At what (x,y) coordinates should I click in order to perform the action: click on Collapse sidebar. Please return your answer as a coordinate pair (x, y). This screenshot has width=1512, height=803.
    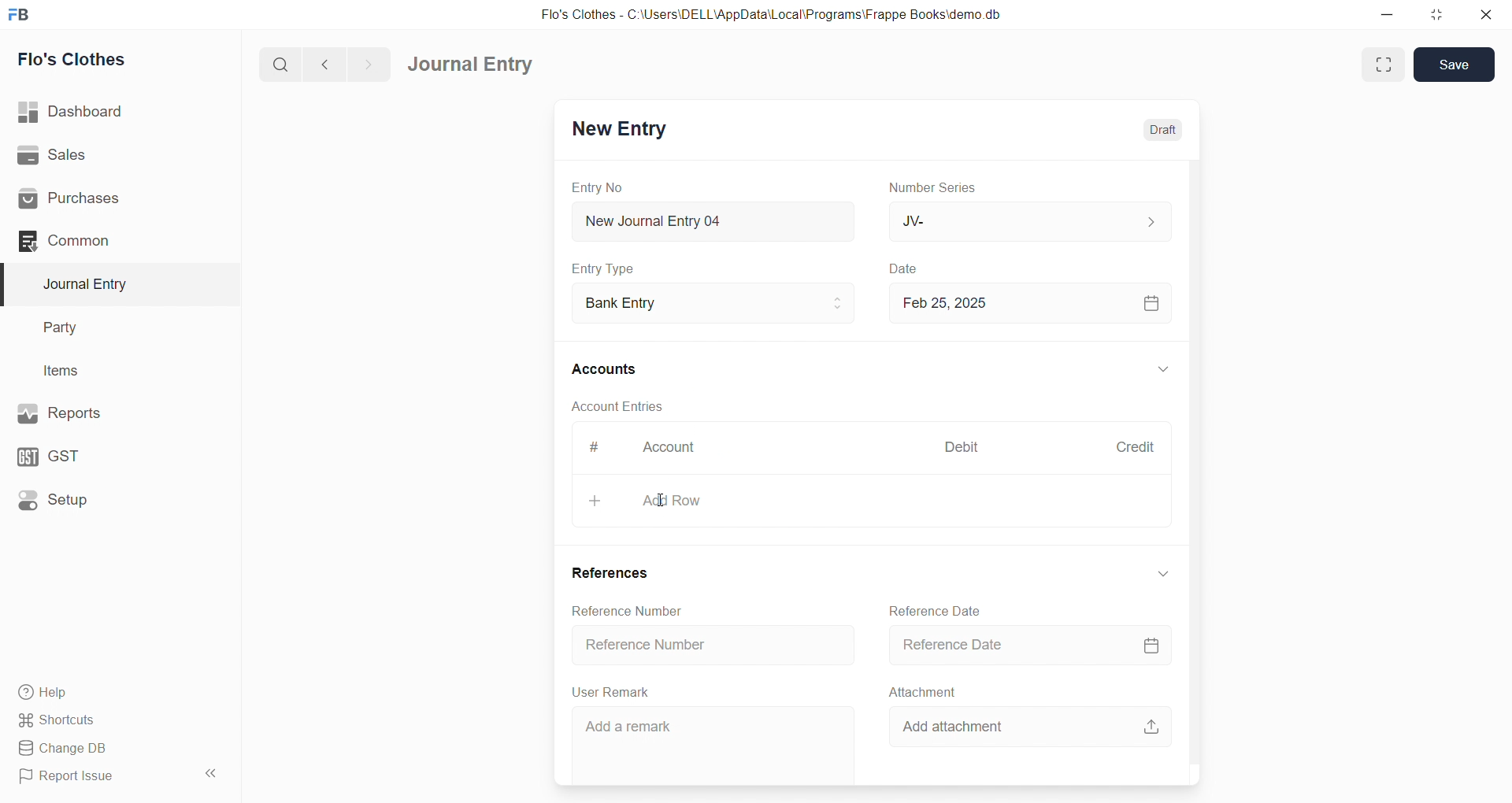
    Looking at the image, I should click on (213, 776).